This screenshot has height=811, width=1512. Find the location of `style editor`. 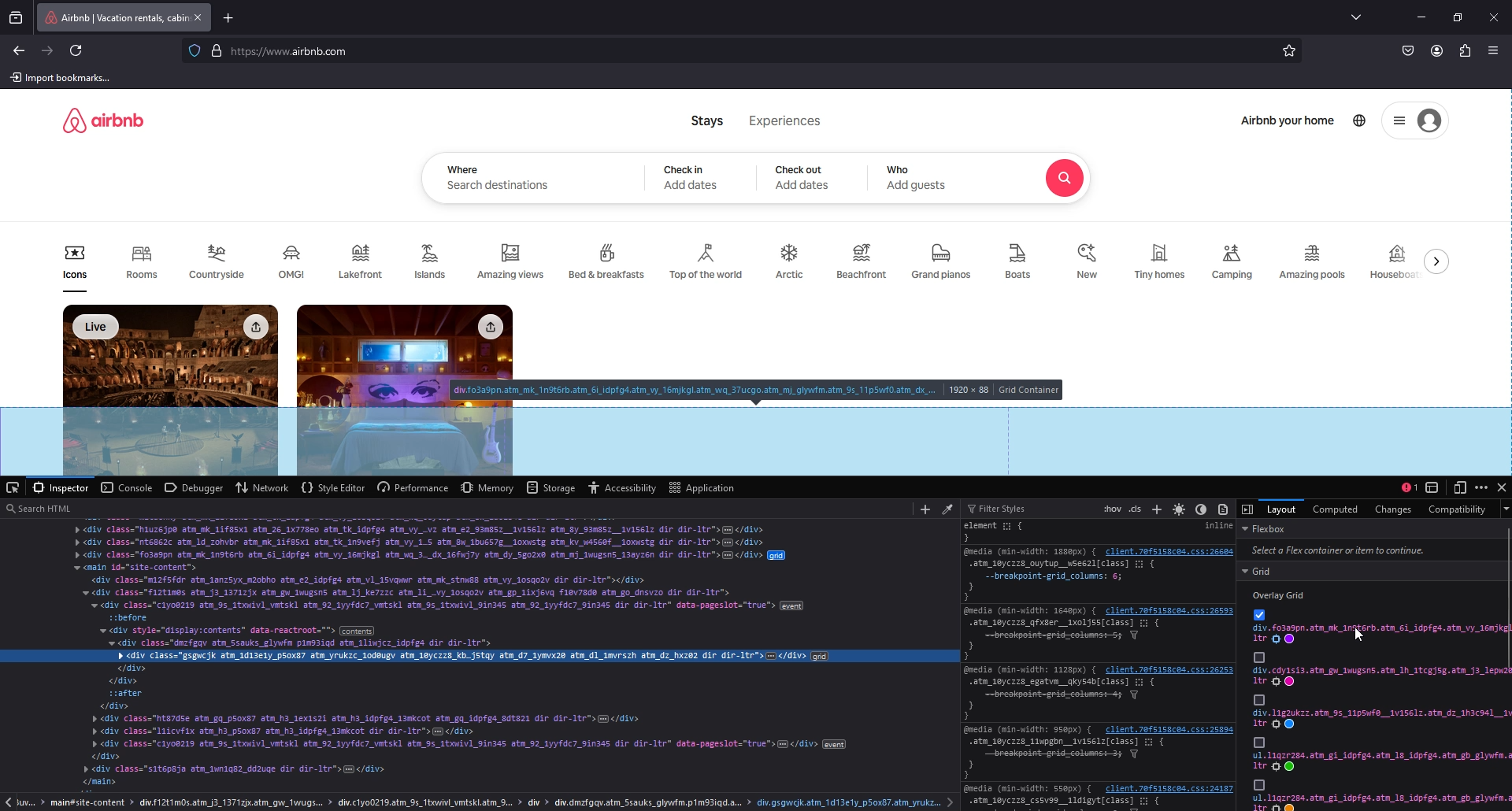

style editor is located at coordinates (332, 487).